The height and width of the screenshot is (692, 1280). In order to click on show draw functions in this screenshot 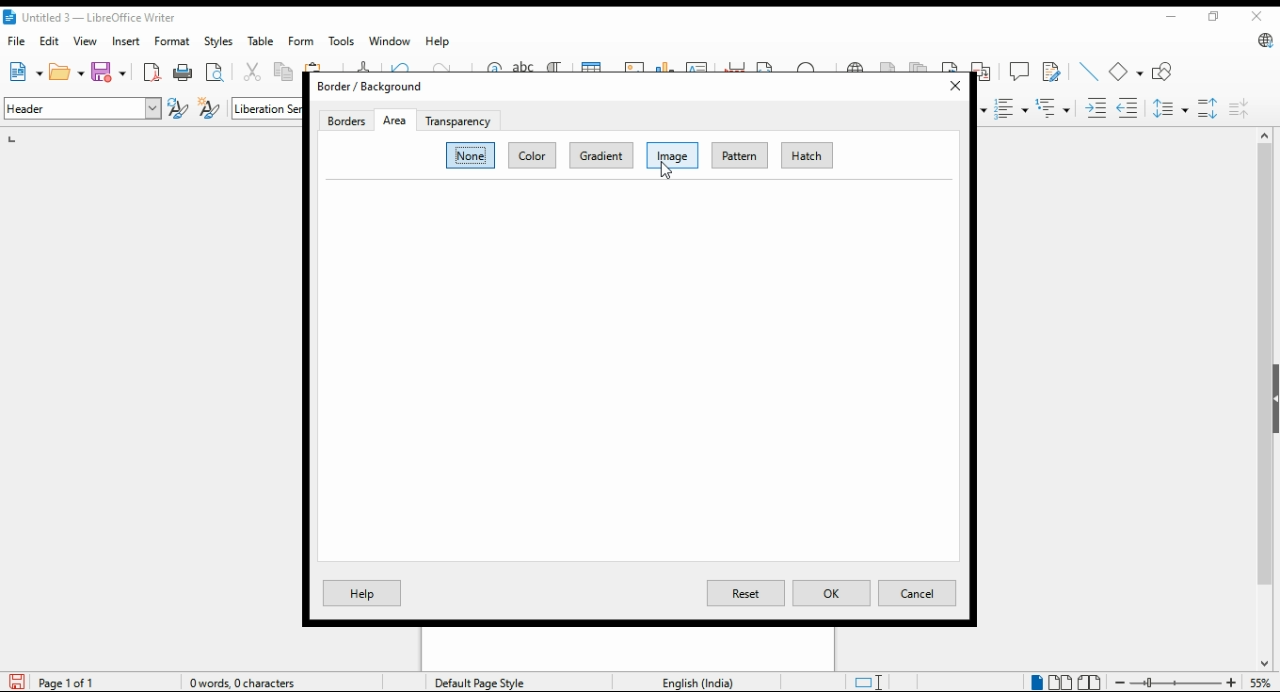, I will do `click(1165, 72)`.